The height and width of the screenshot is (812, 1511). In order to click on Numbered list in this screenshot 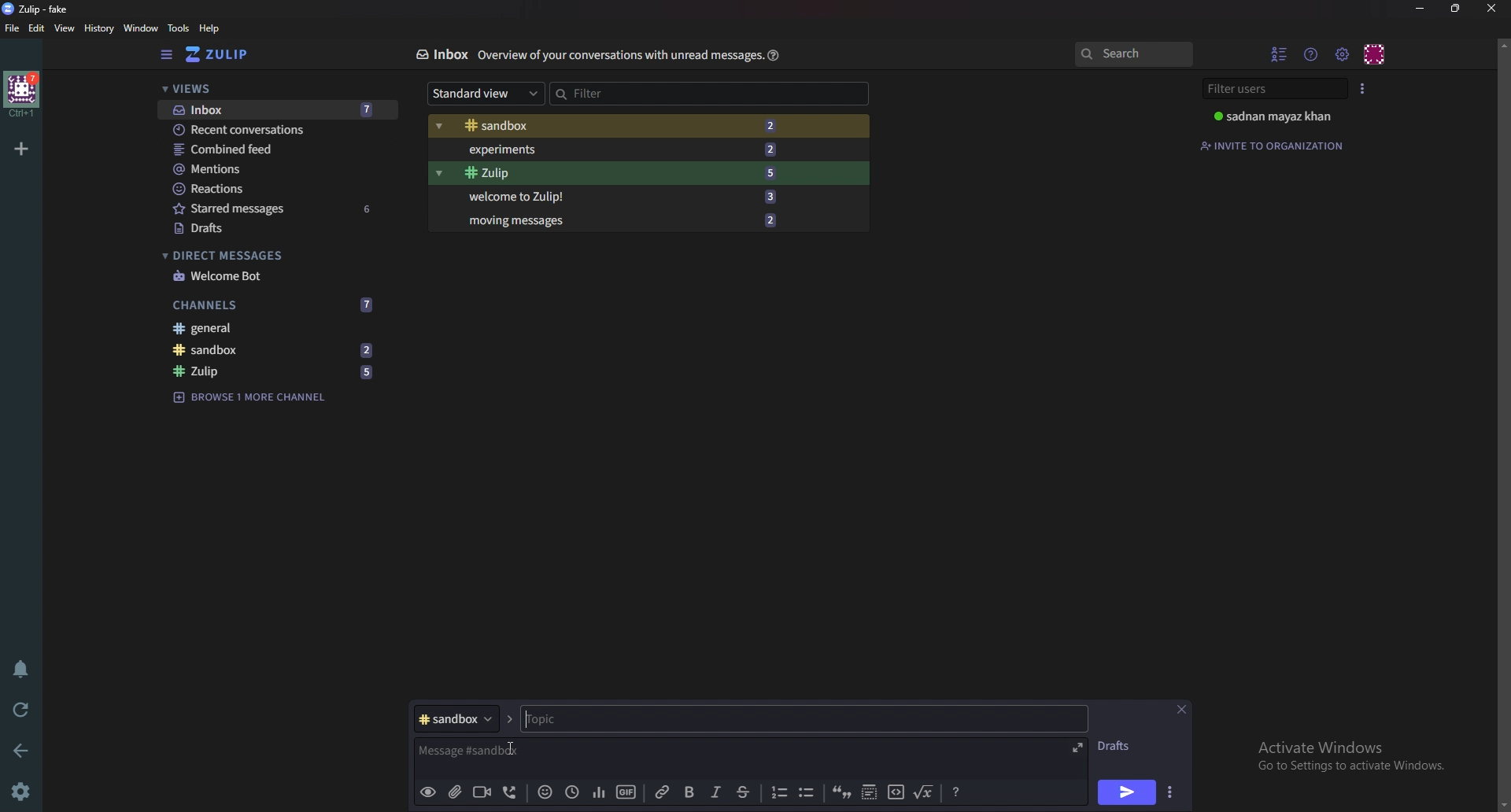, I will do `click(778, 792)`.